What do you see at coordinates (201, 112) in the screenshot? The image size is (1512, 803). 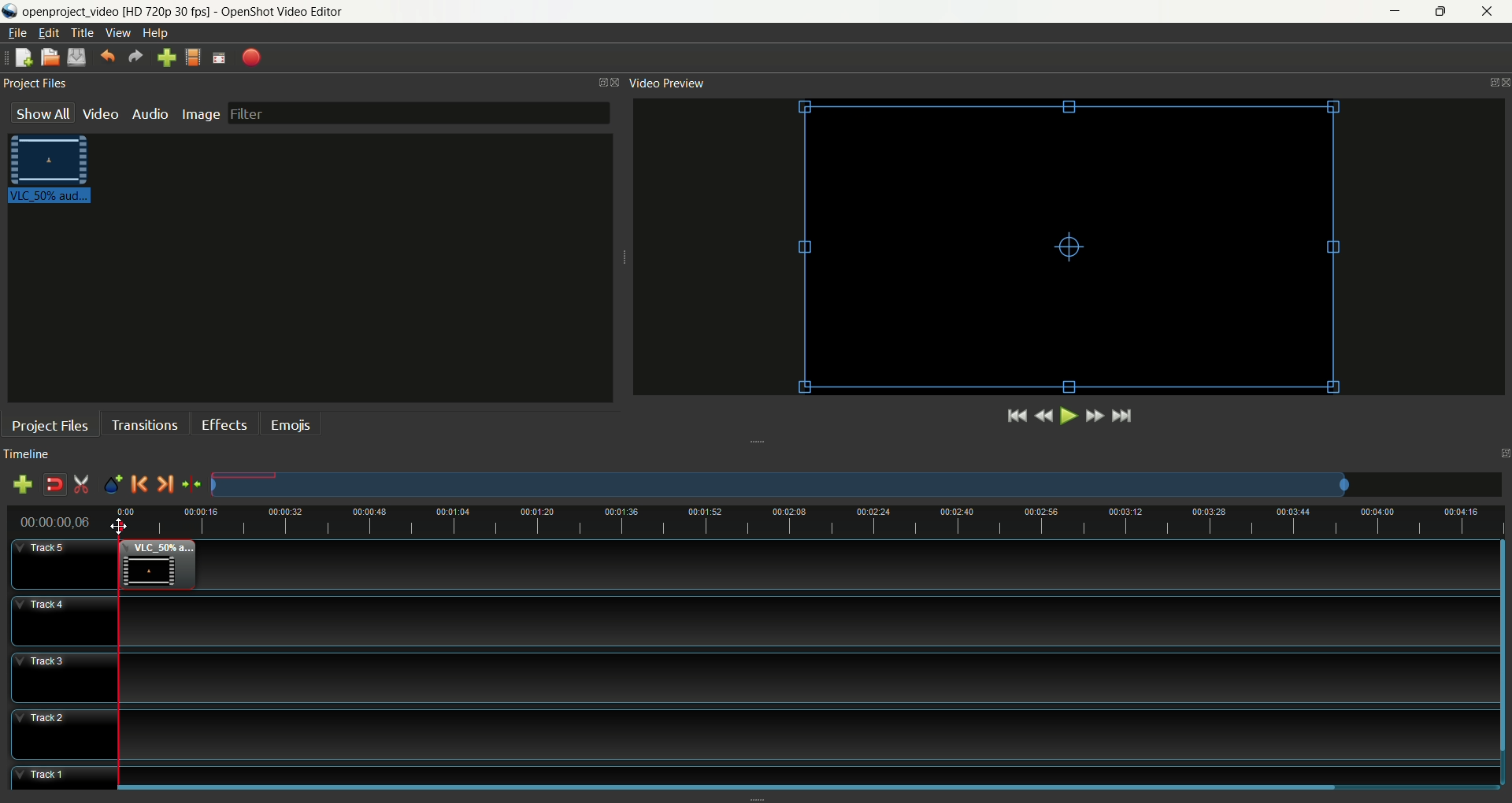 I see `image` at bounding box center [201, 112].